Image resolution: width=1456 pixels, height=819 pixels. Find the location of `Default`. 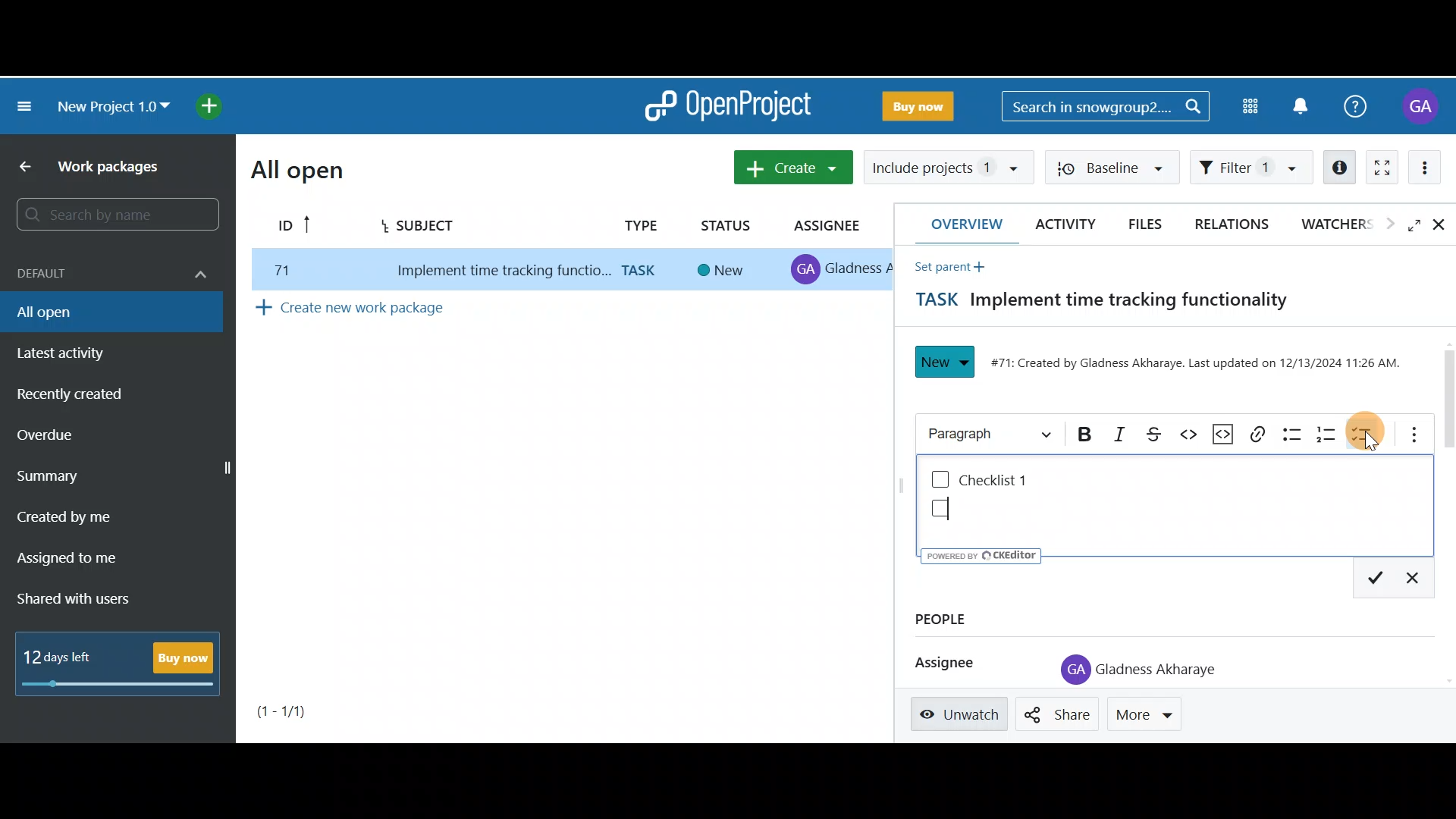

Default is located at coordinates (109, 273).